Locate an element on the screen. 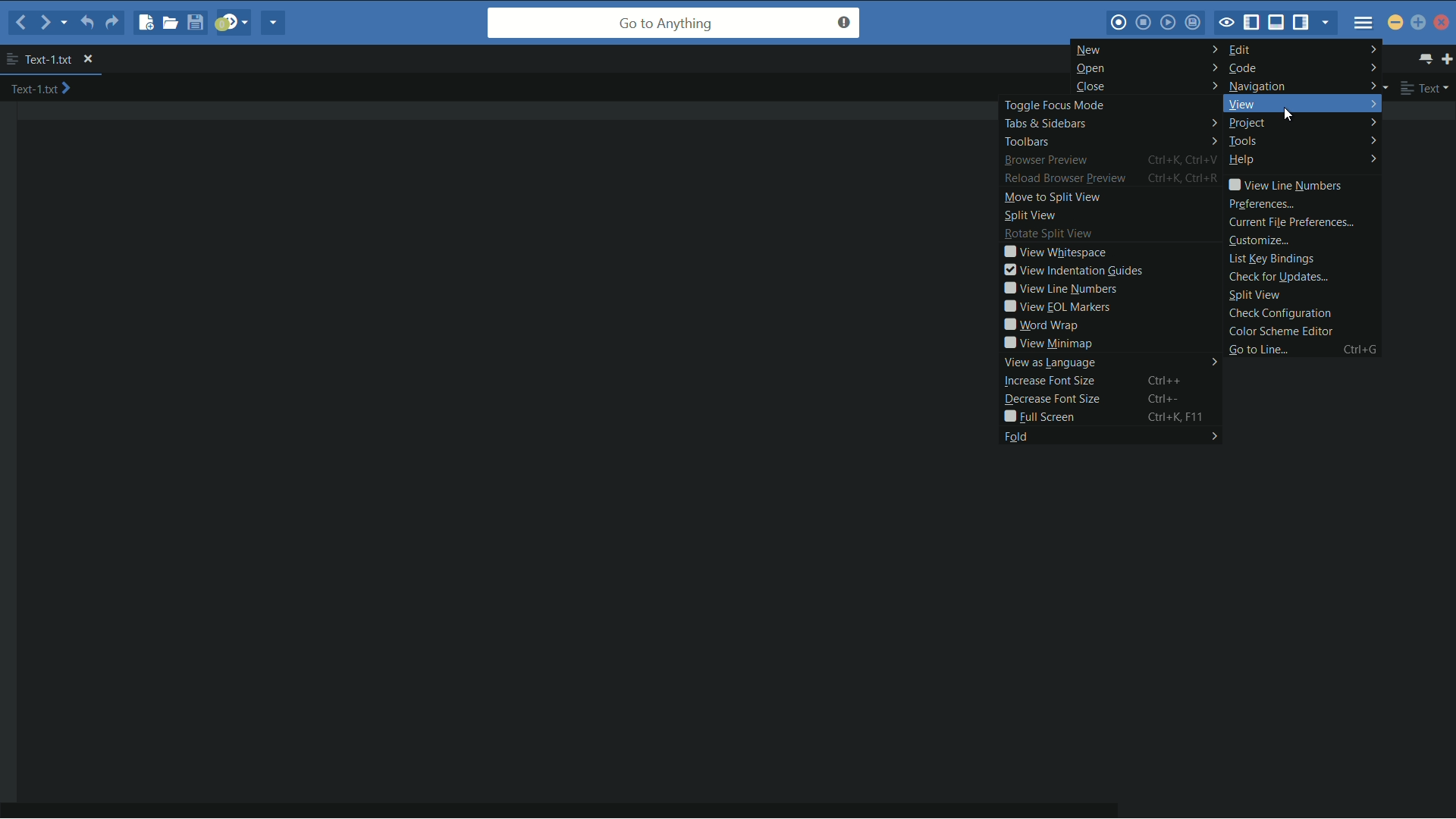  list key bindings is located at coordinates (1270, 258).